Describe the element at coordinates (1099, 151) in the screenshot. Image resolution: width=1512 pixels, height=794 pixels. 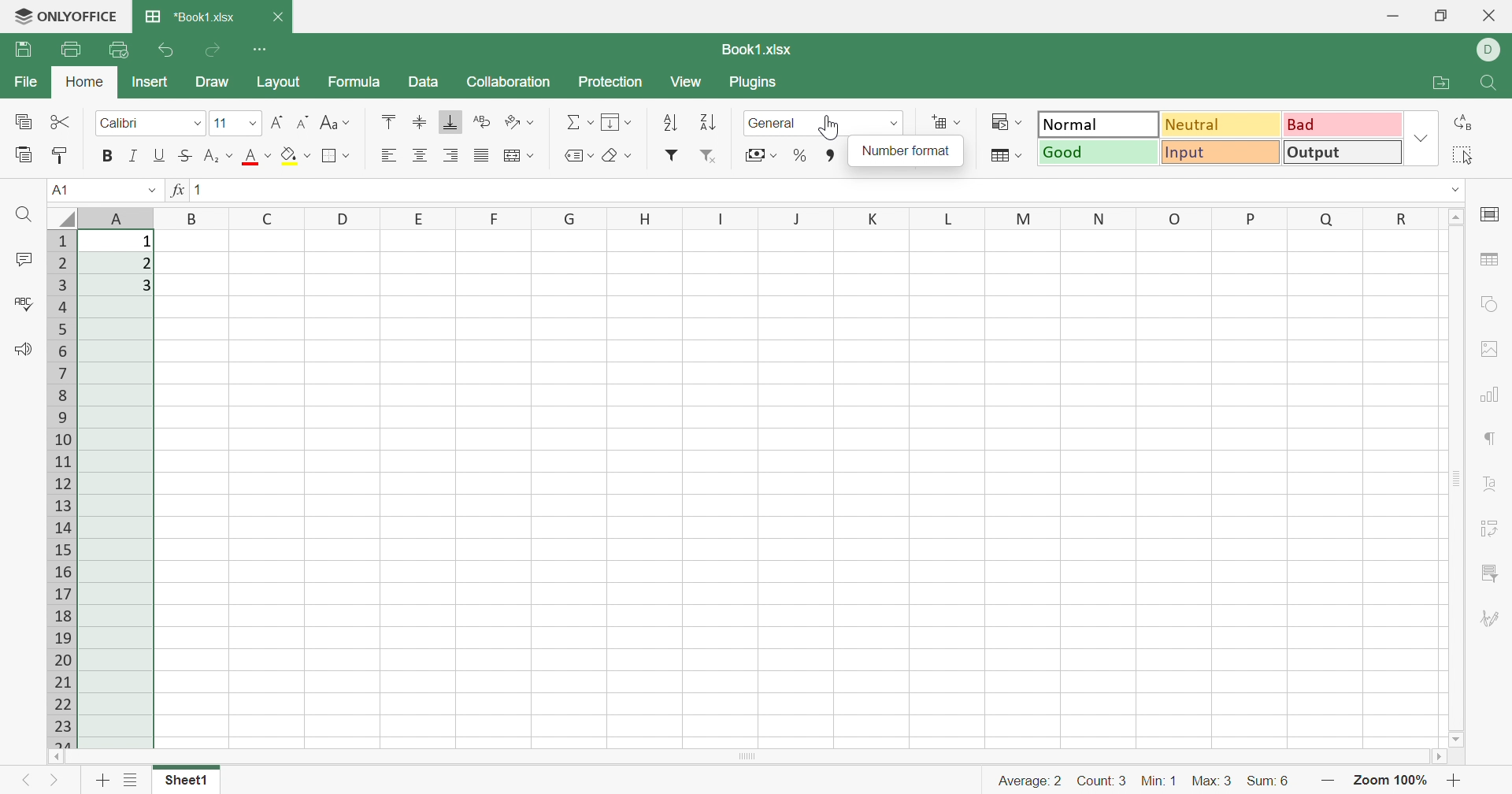
I see `Good` at that location.